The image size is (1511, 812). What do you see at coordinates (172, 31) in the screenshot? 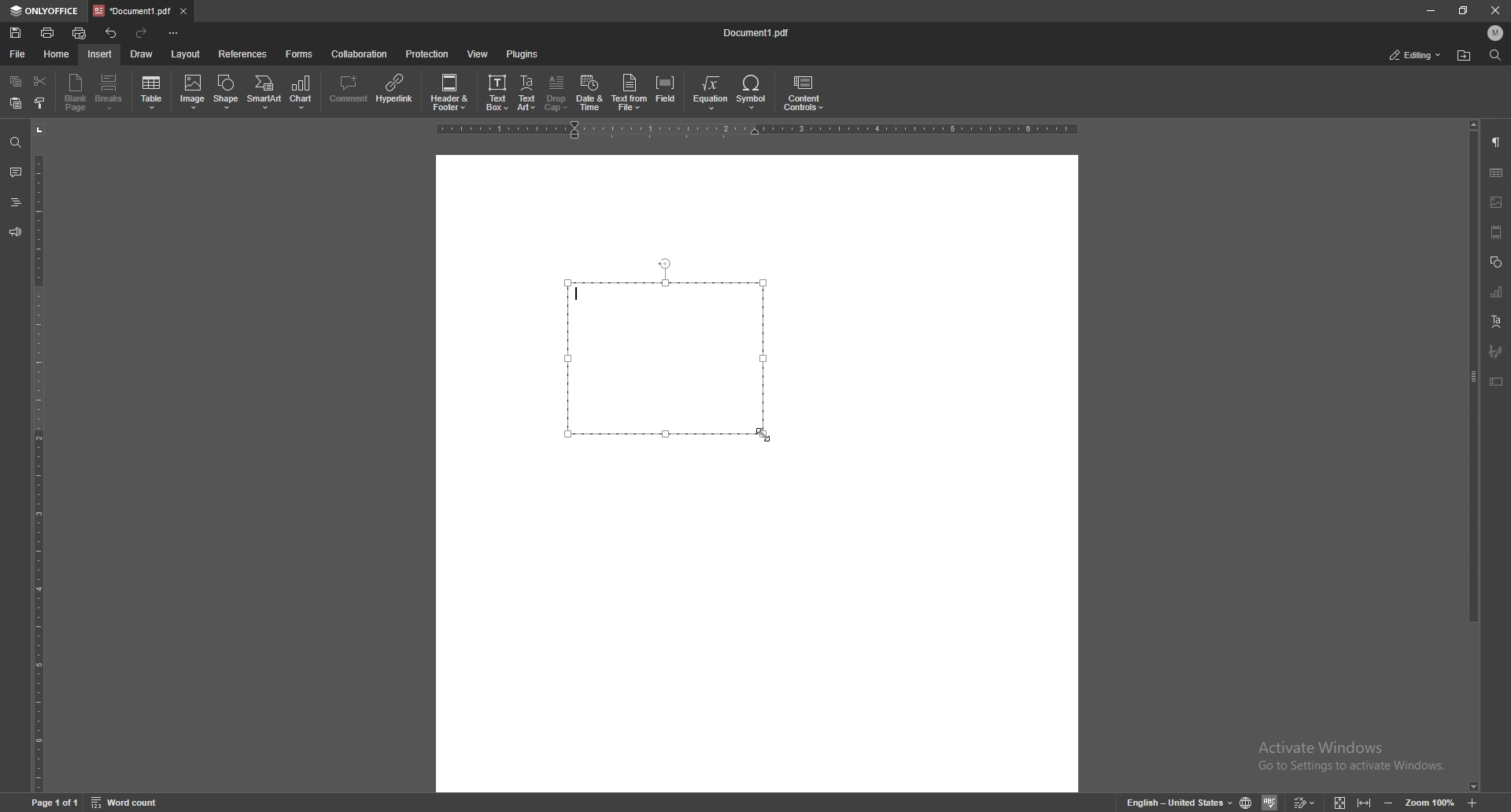
I see `customize toolbar` at bounding box center [172, 31].